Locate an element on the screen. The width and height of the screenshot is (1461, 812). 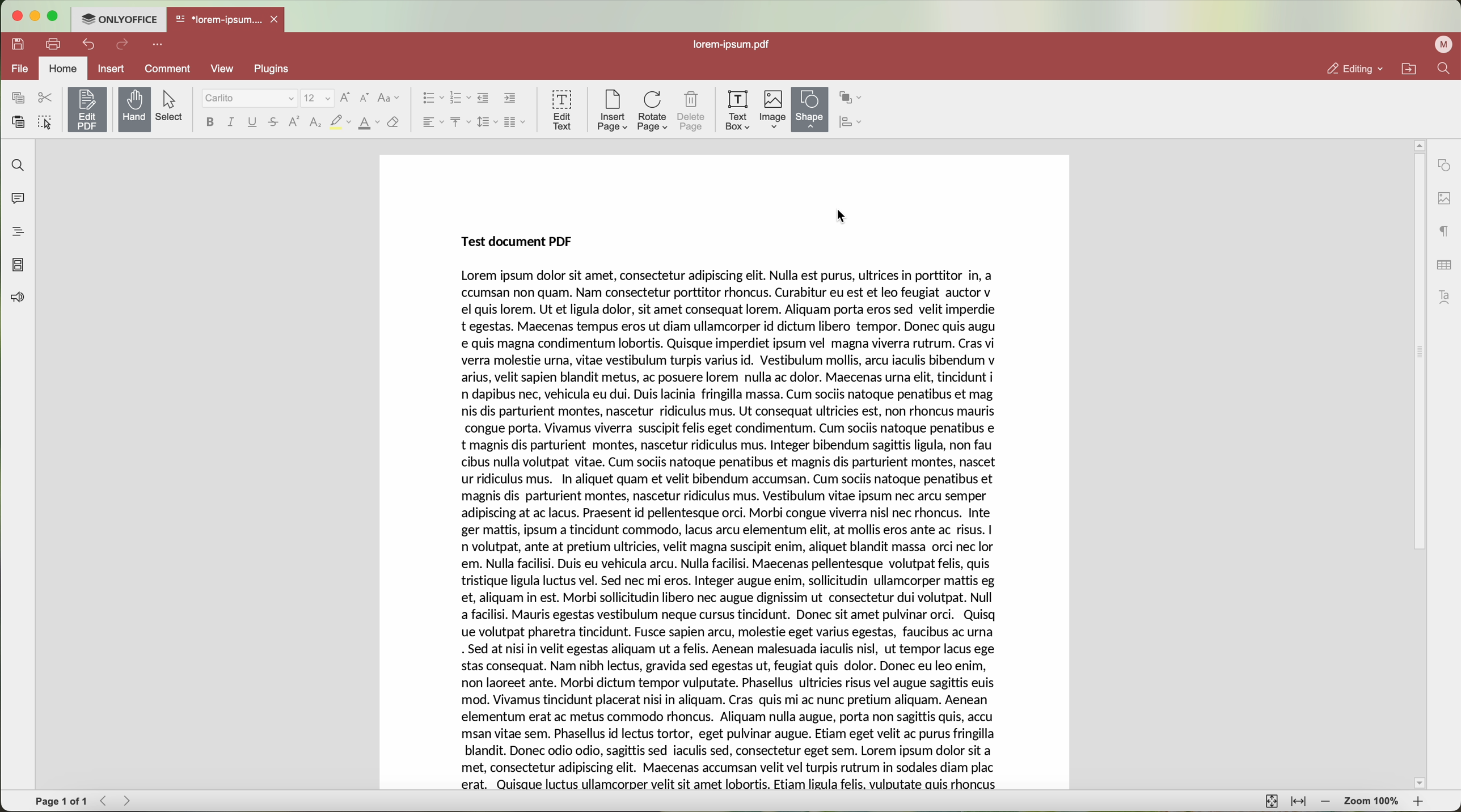
paragraph settings is located at coordinates (1441, 232).